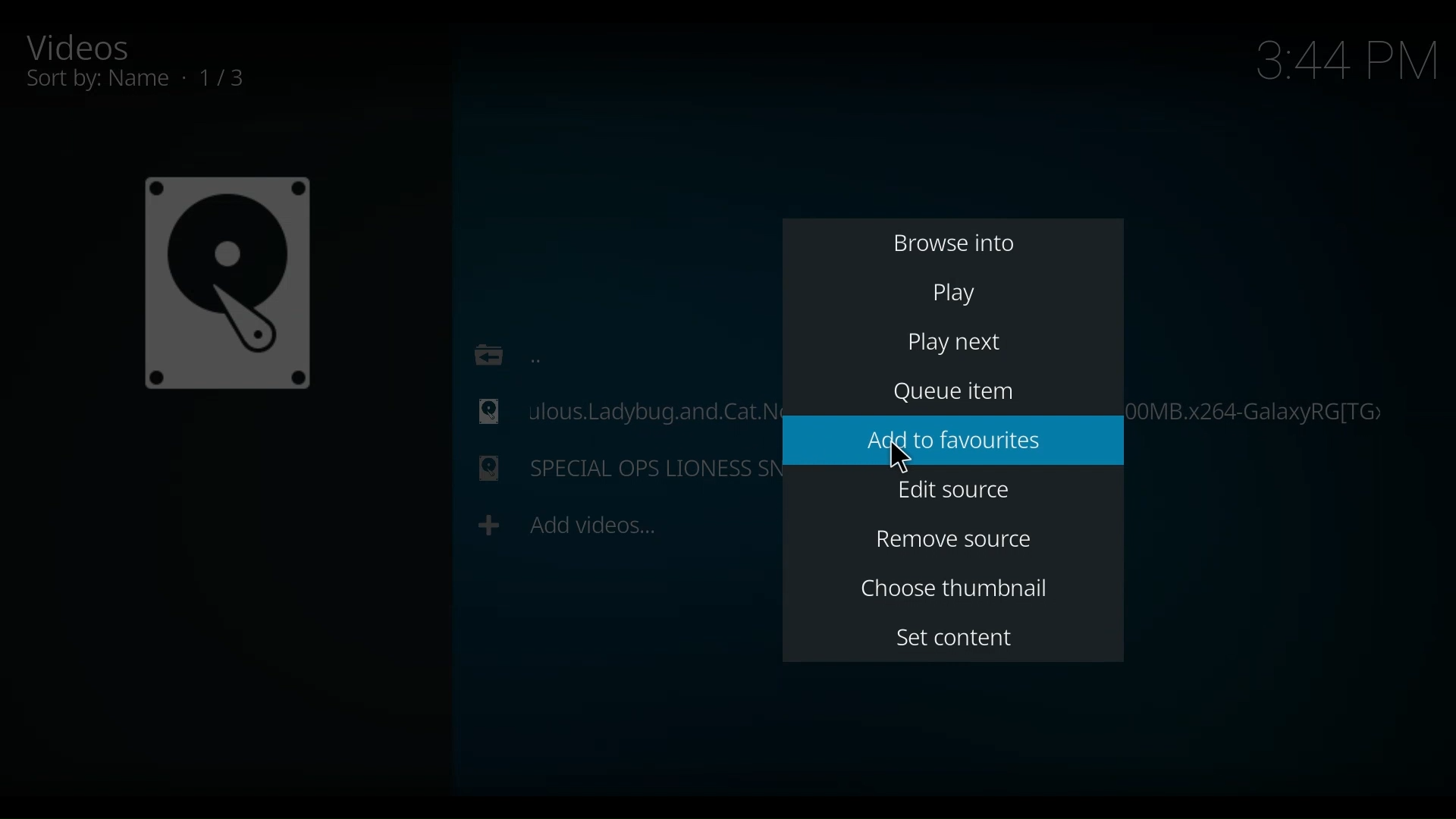  Describe the element at coordinates (93, 46) in the screenshot. I see `Videos` at that location.